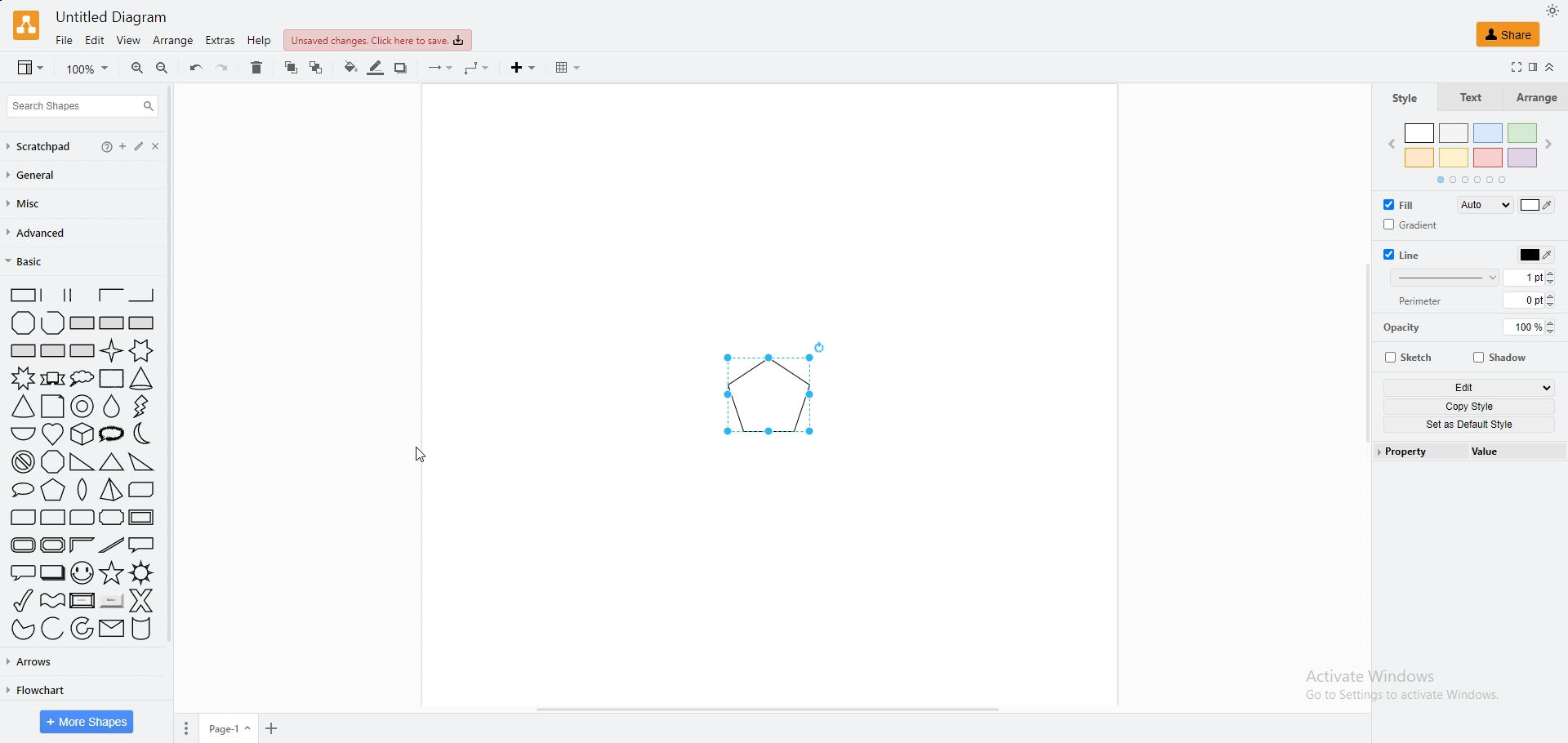 This screenshot has height=743, width=1568. What do you see at coordinates (40, 234) in the screenshot?
I see `advanced` at bounding box center [40, 234].